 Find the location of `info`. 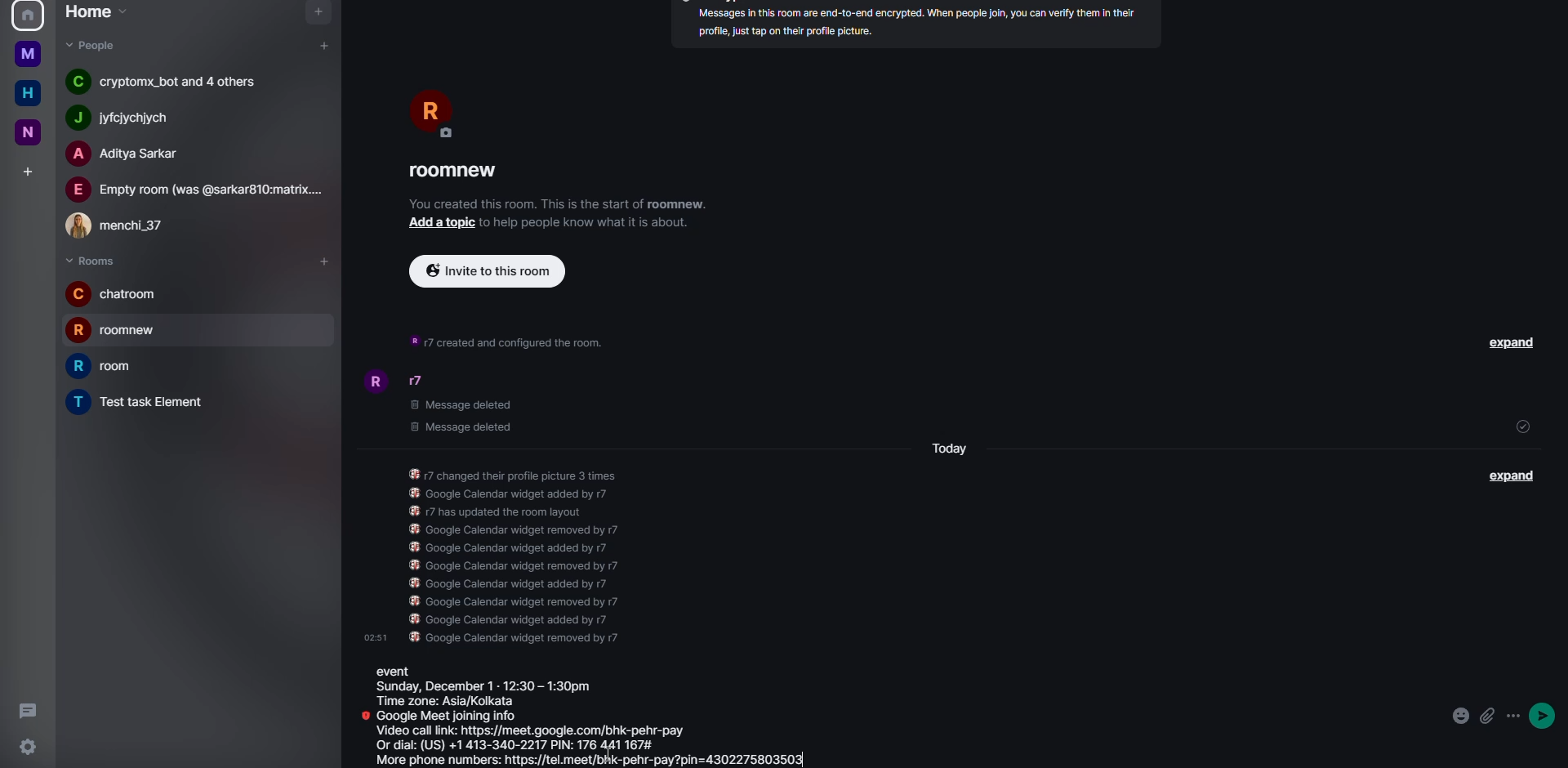

info is located at coordinates (559, 203).